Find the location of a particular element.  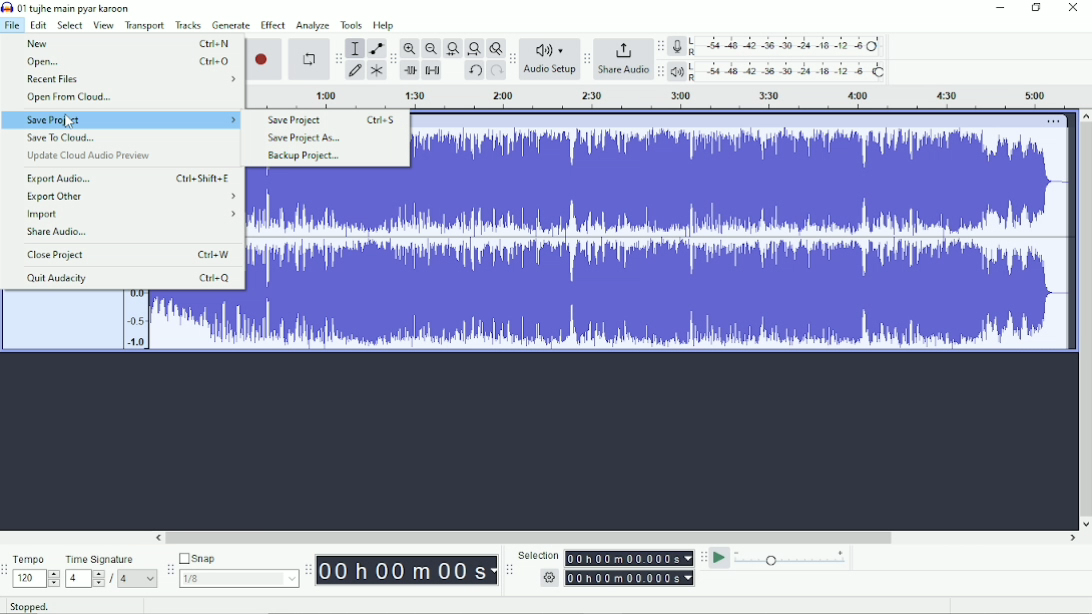

Help is located at coordinates (385, 24).